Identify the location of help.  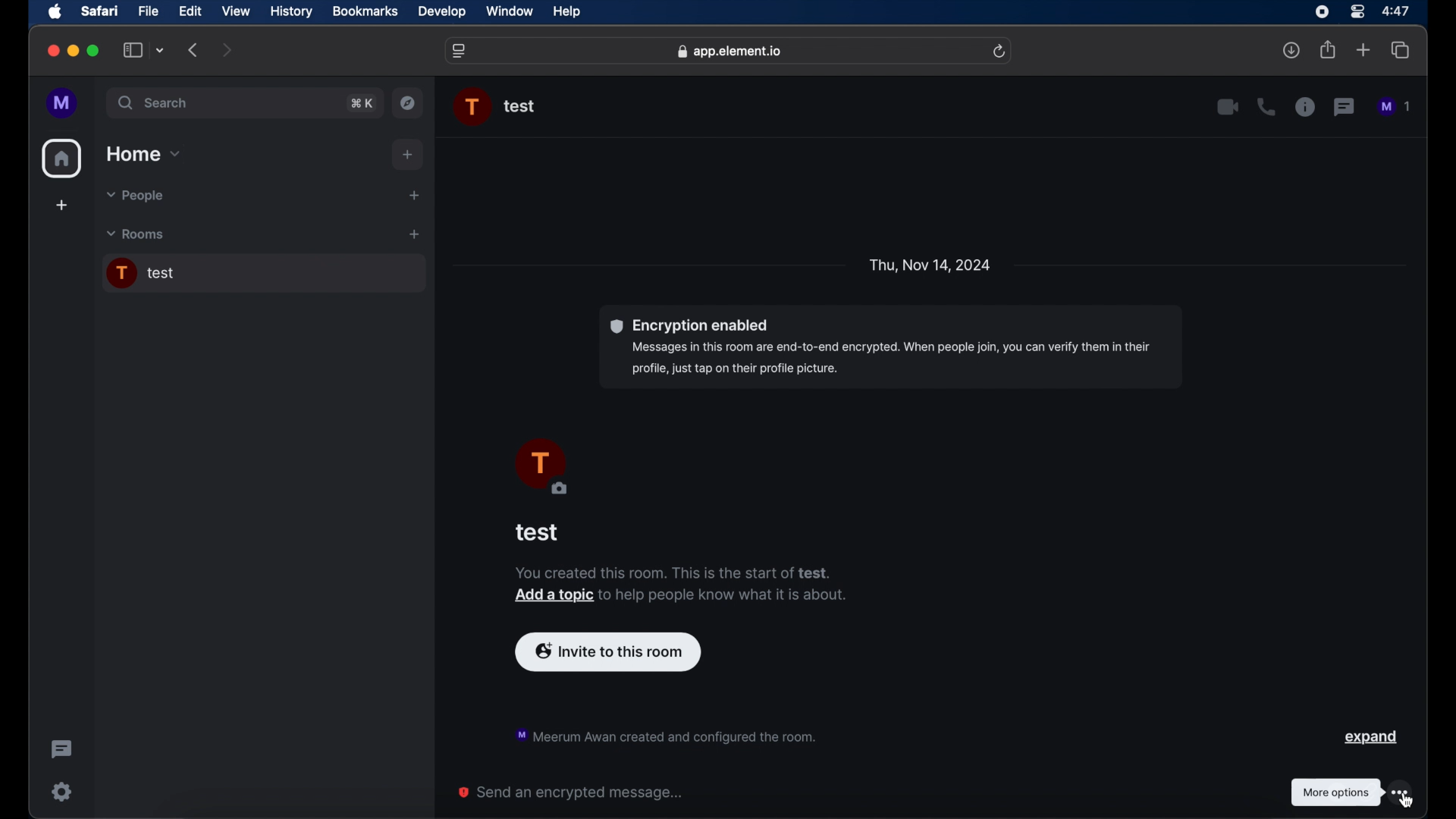
(567, 12).